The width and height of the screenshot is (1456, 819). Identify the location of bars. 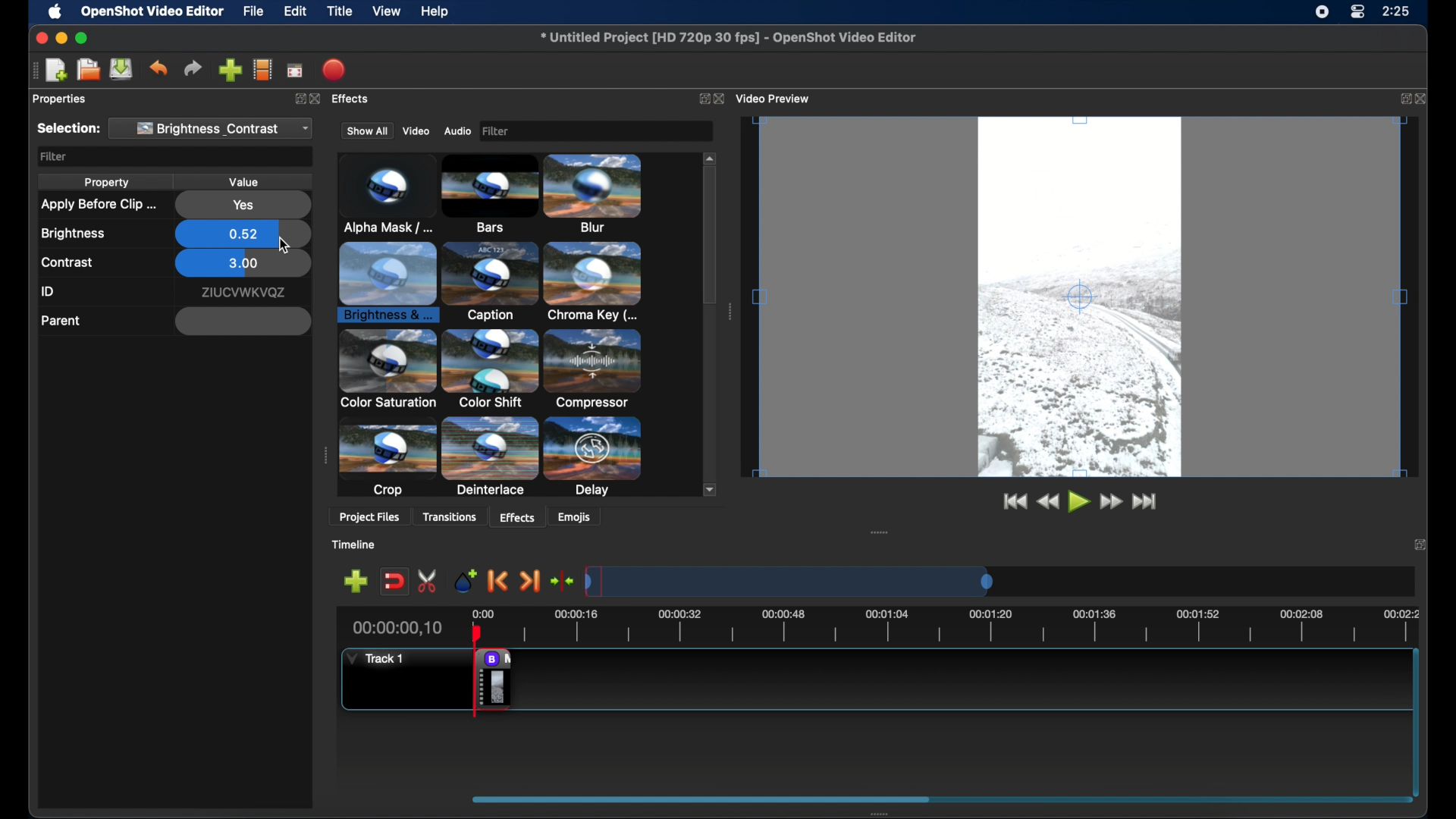
(379, 195).